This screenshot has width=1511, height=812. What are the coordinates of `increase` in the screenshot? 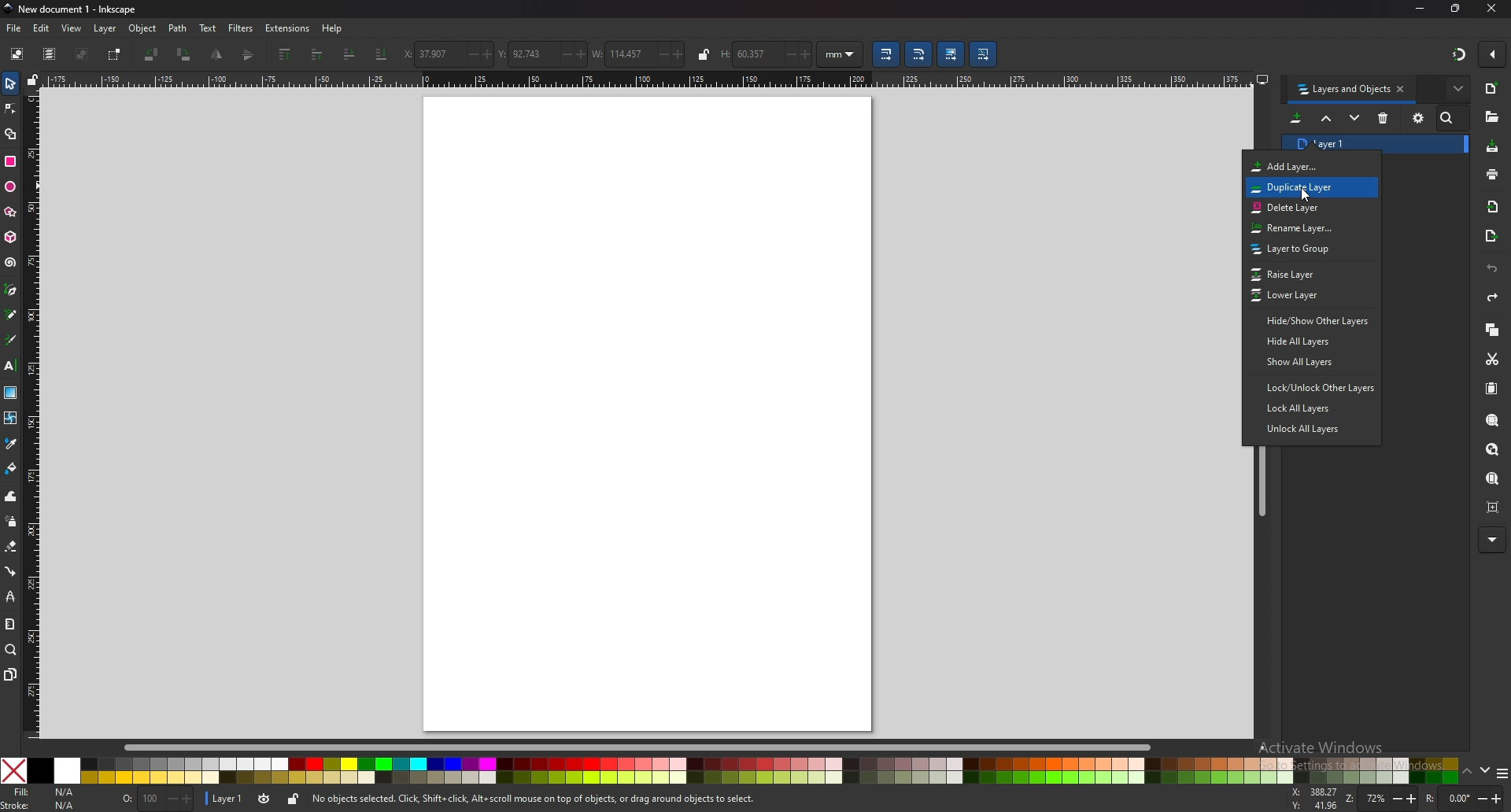 It's located at (805, 55).